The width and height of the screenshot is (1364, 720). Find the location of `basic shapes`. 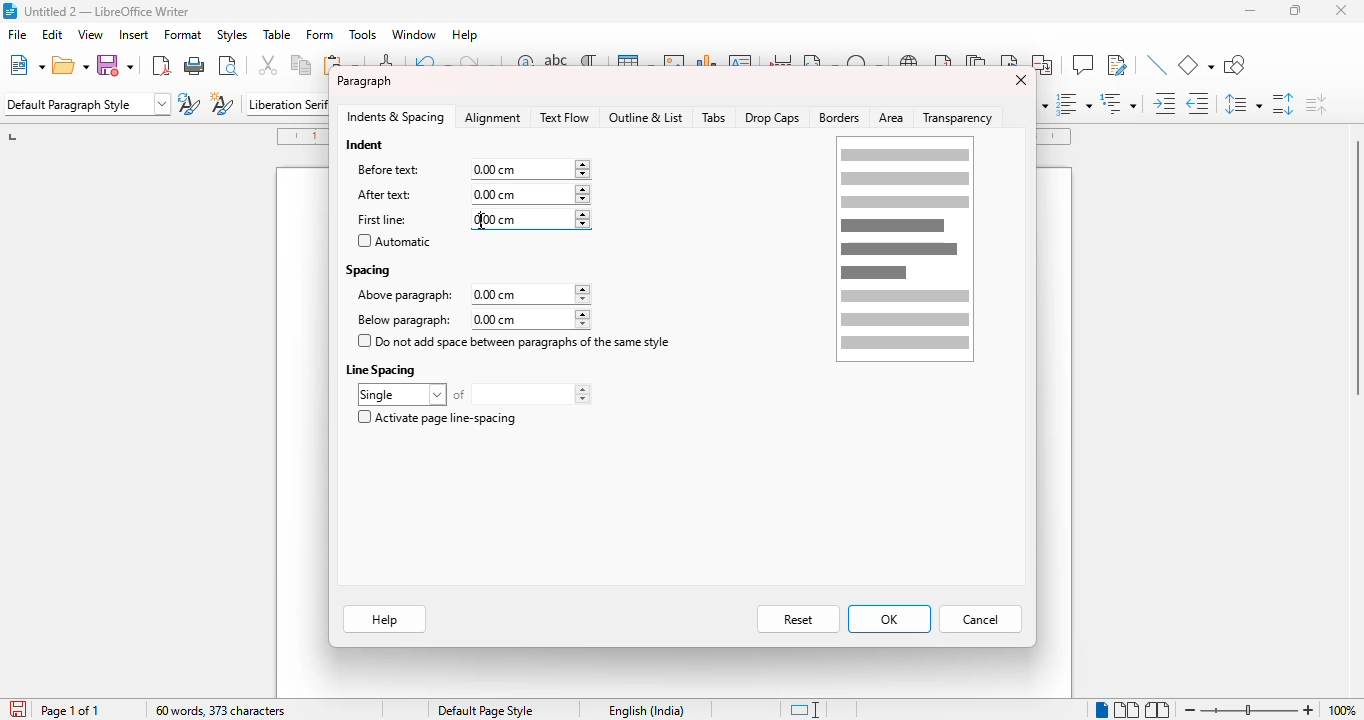

basic shapes is located at coordinates (1196, 65).